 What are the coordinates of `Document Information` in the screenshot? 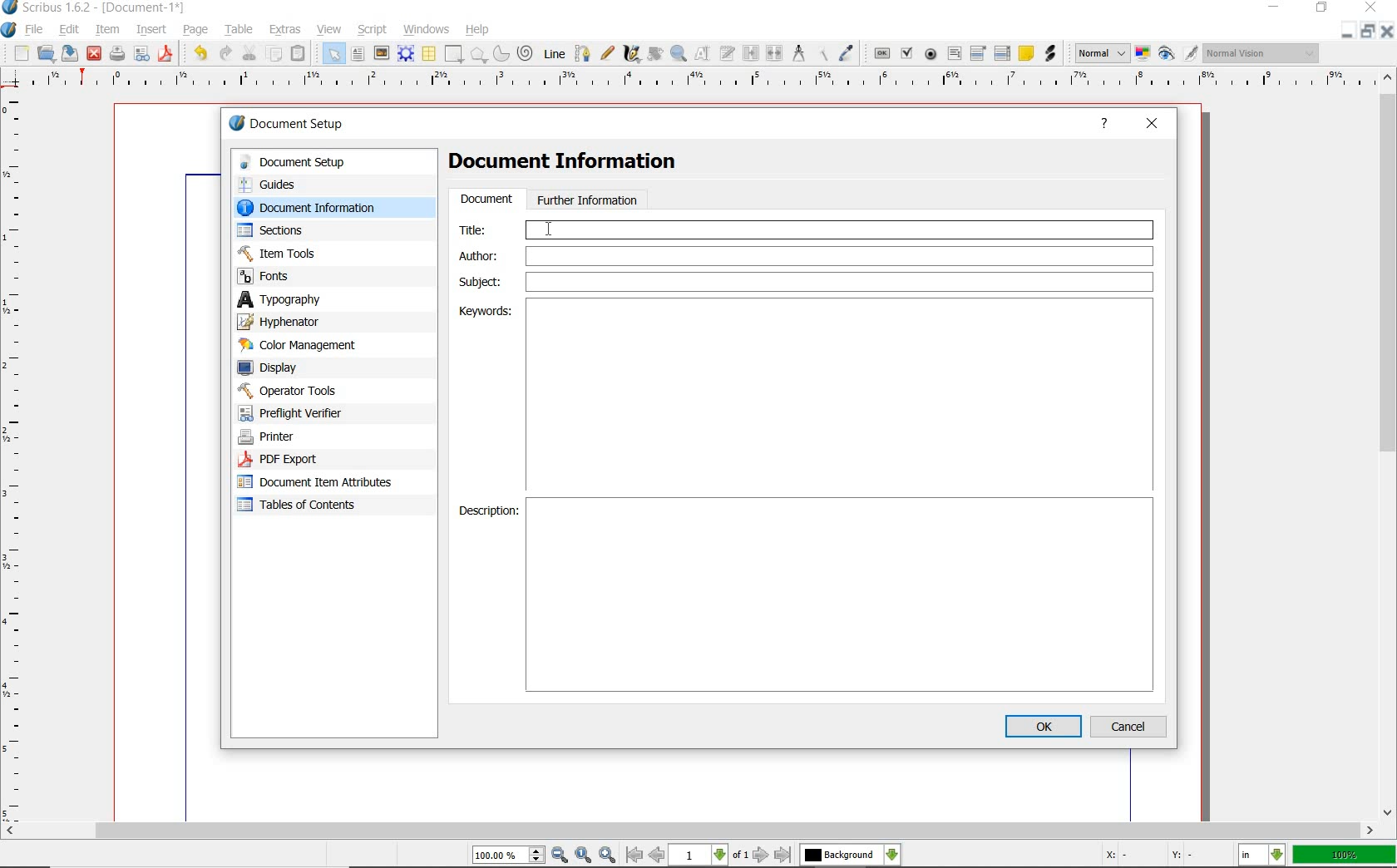 It's located at (576, 164).